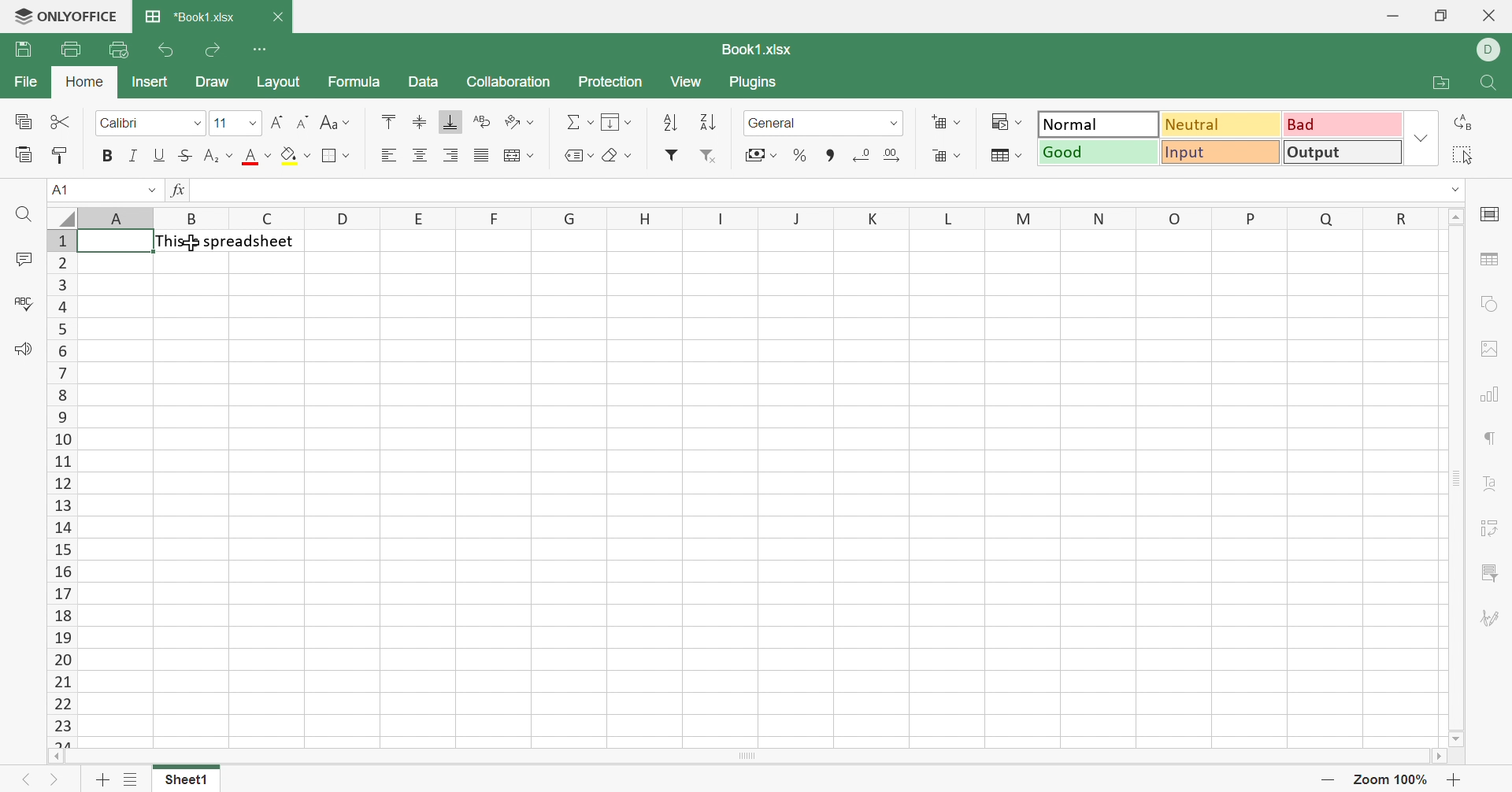 This screenshot has width=1512, height=792. Describe the element at coordinates (347, 155) in the screenshot. I see `Drop Down` at that location.